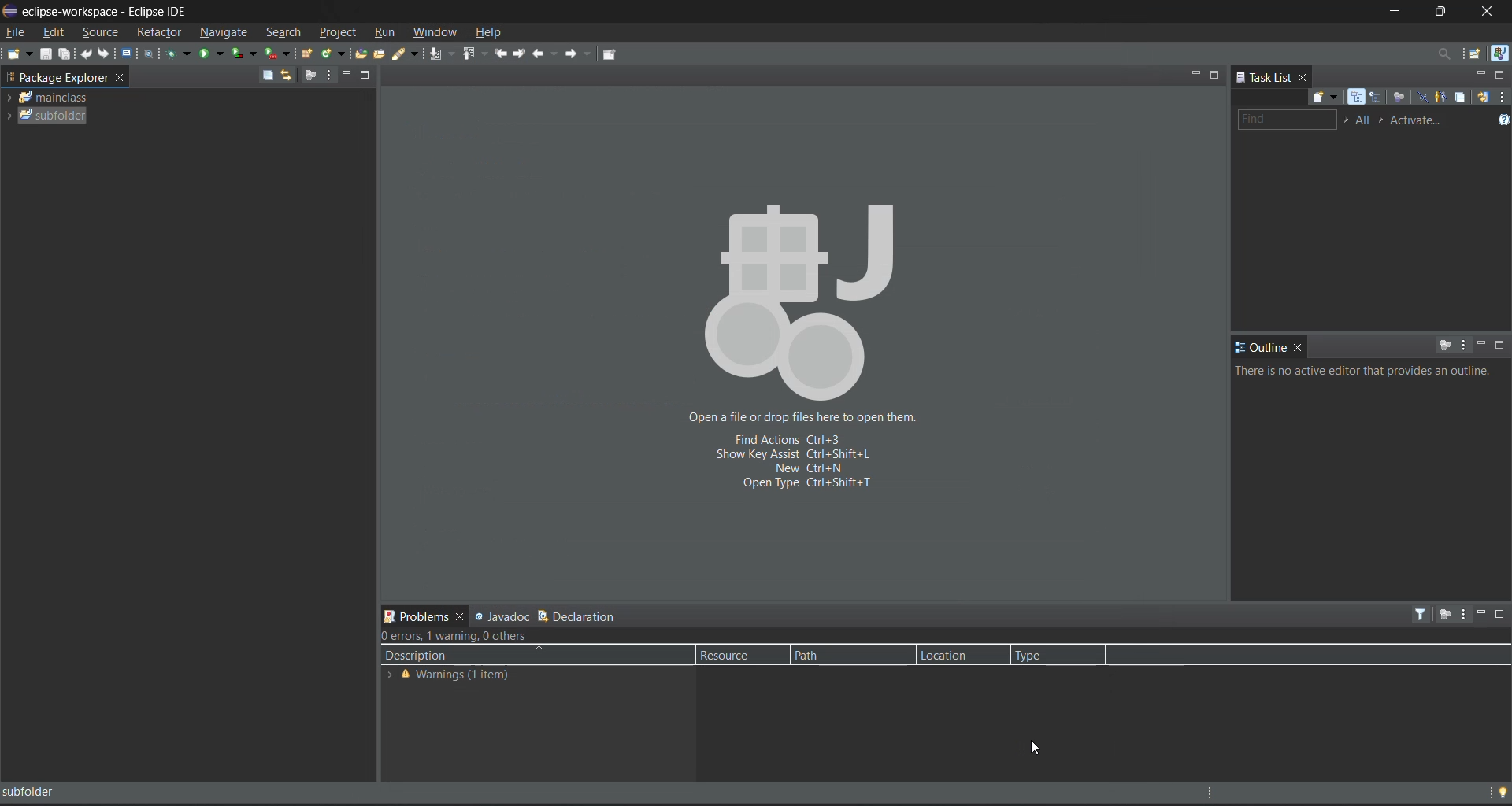 This screenshot has height=806, width=1512. What do you see at coordinates (1445, 345) in the screenshot?
I see `focus on active task` at bounding box center [1445, 345].